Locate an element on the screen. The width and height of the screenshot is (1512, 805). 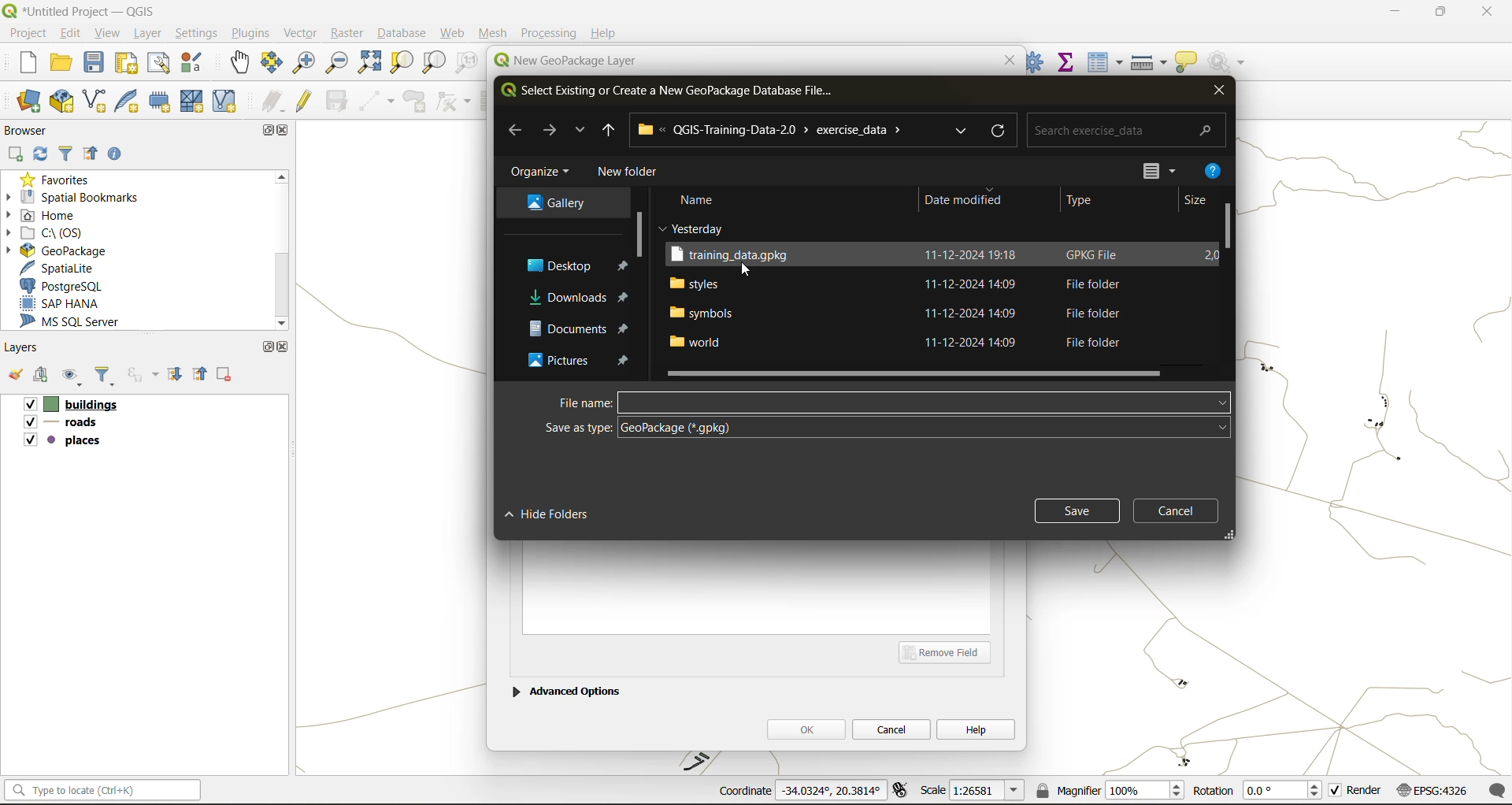
zoom full is located at coordinates (369, 63).